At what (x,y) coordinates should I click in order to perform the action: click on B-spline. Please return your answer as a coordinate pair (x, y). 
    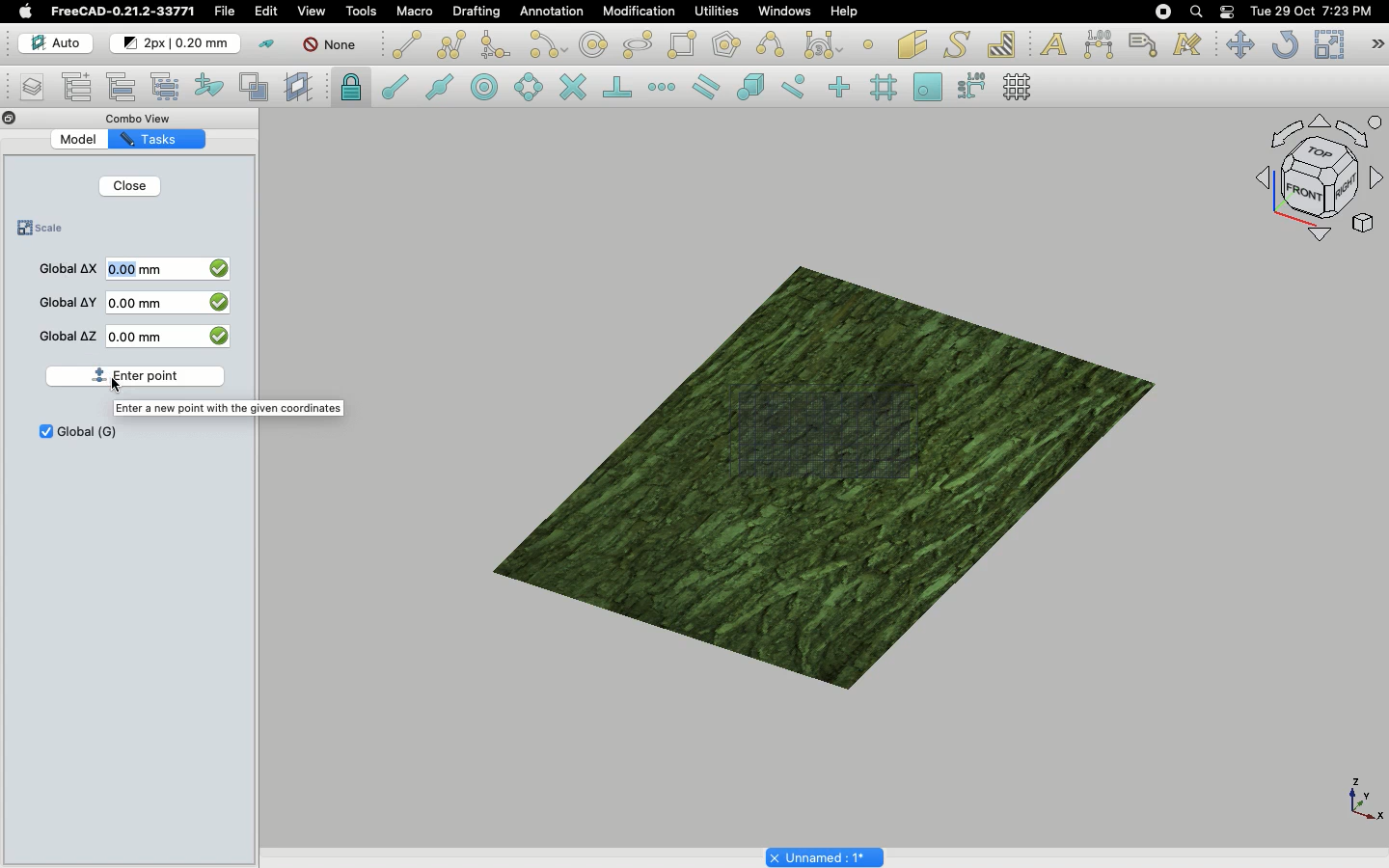
    Looking at the image, I should click on (770, 44).